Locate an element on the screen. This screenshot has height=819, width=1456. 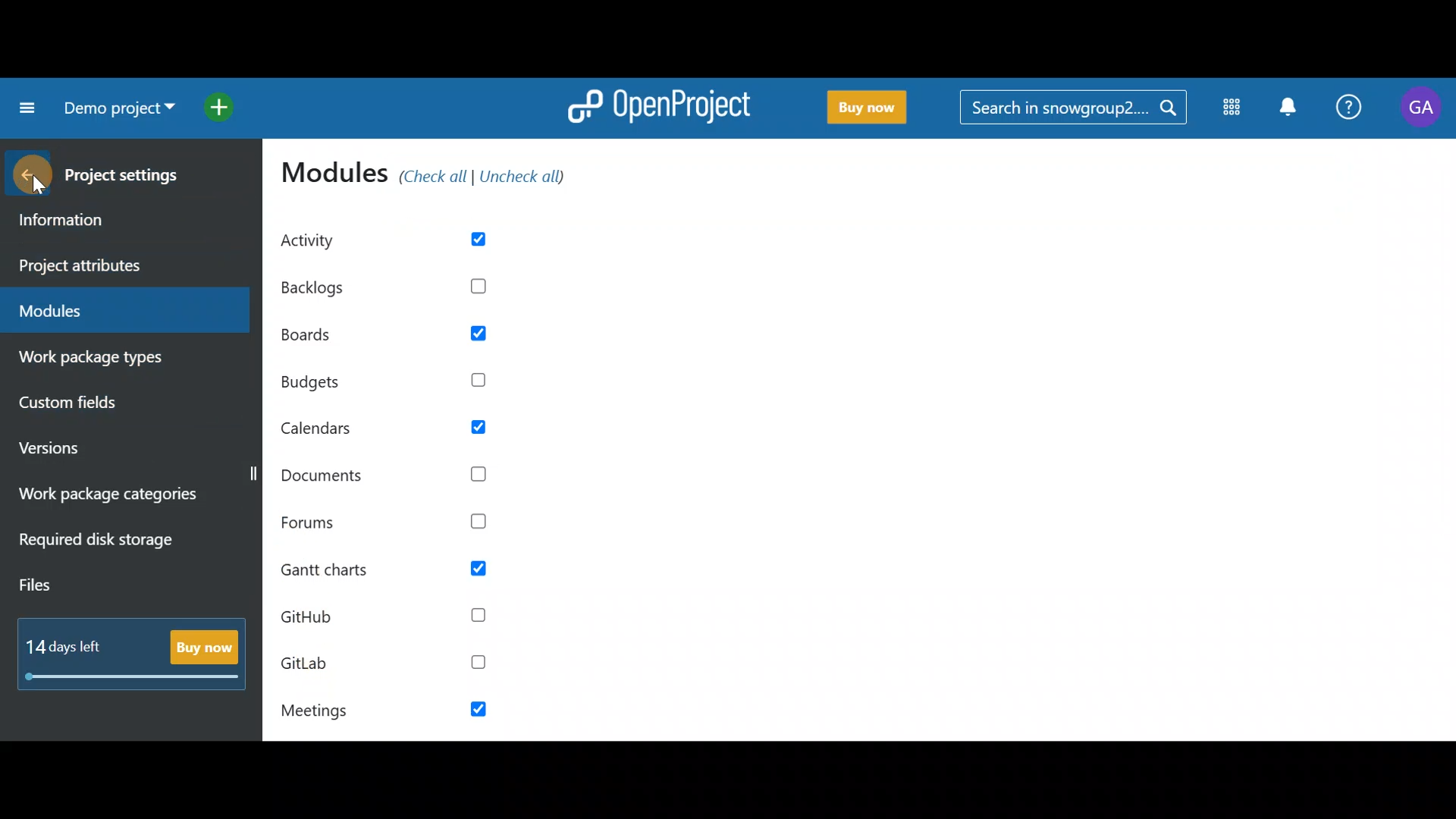
Custom fields is located at coordinates (102, 407).